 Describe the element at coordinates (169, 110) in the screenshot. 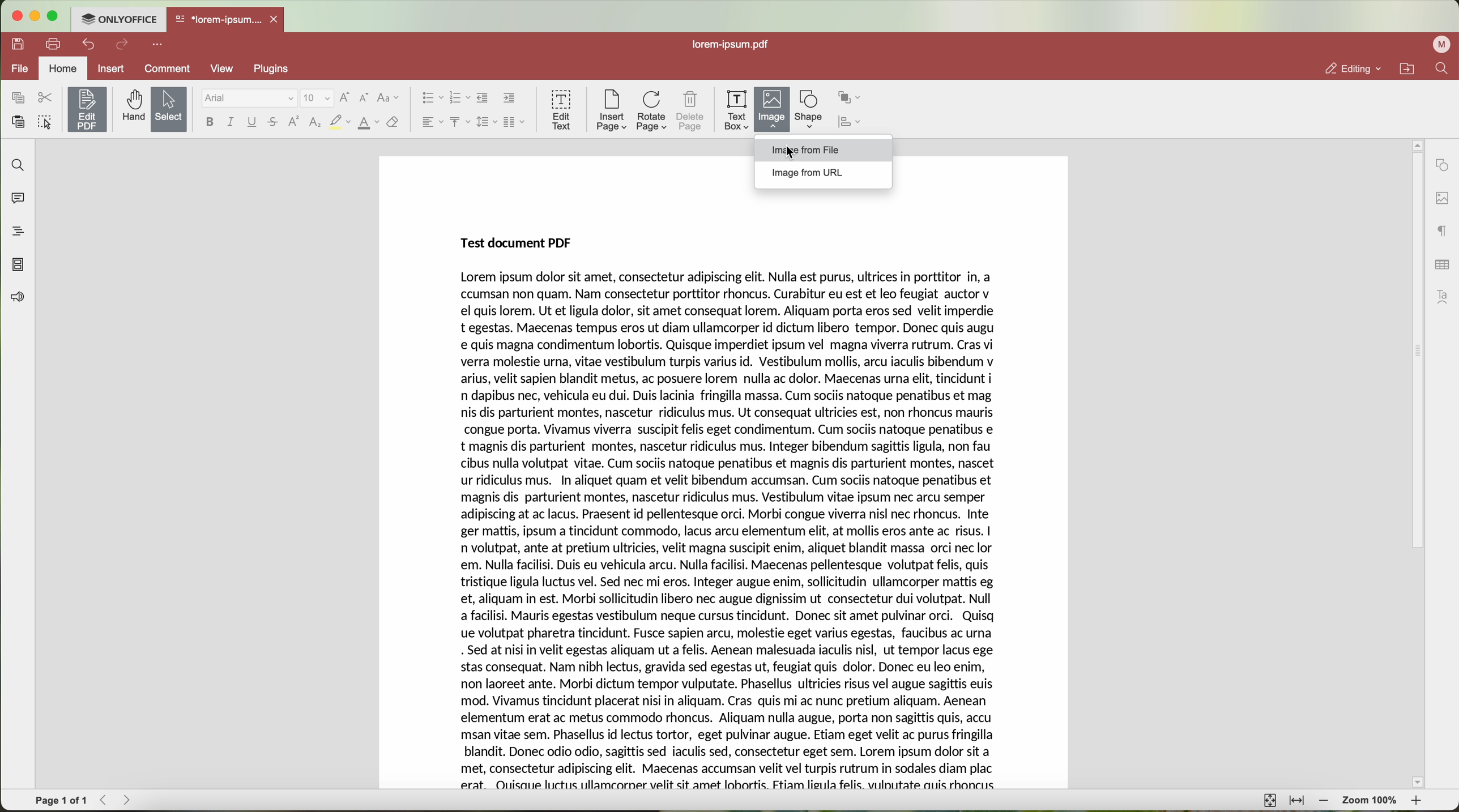

I see `select` at that location.